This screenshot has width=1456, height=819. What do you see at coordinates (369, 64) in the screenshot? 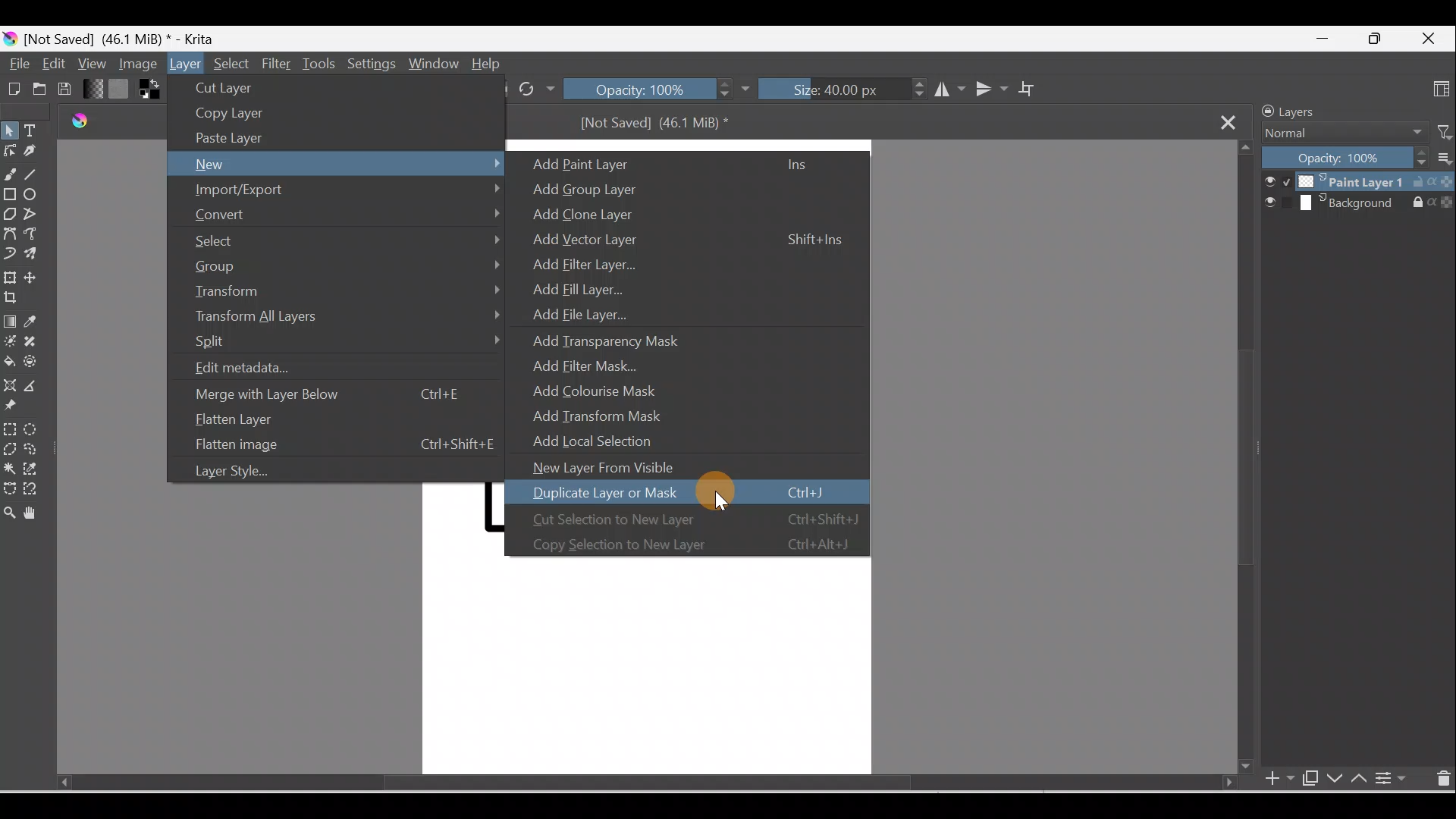
I see `Settings` at bounding box center [369, 64].